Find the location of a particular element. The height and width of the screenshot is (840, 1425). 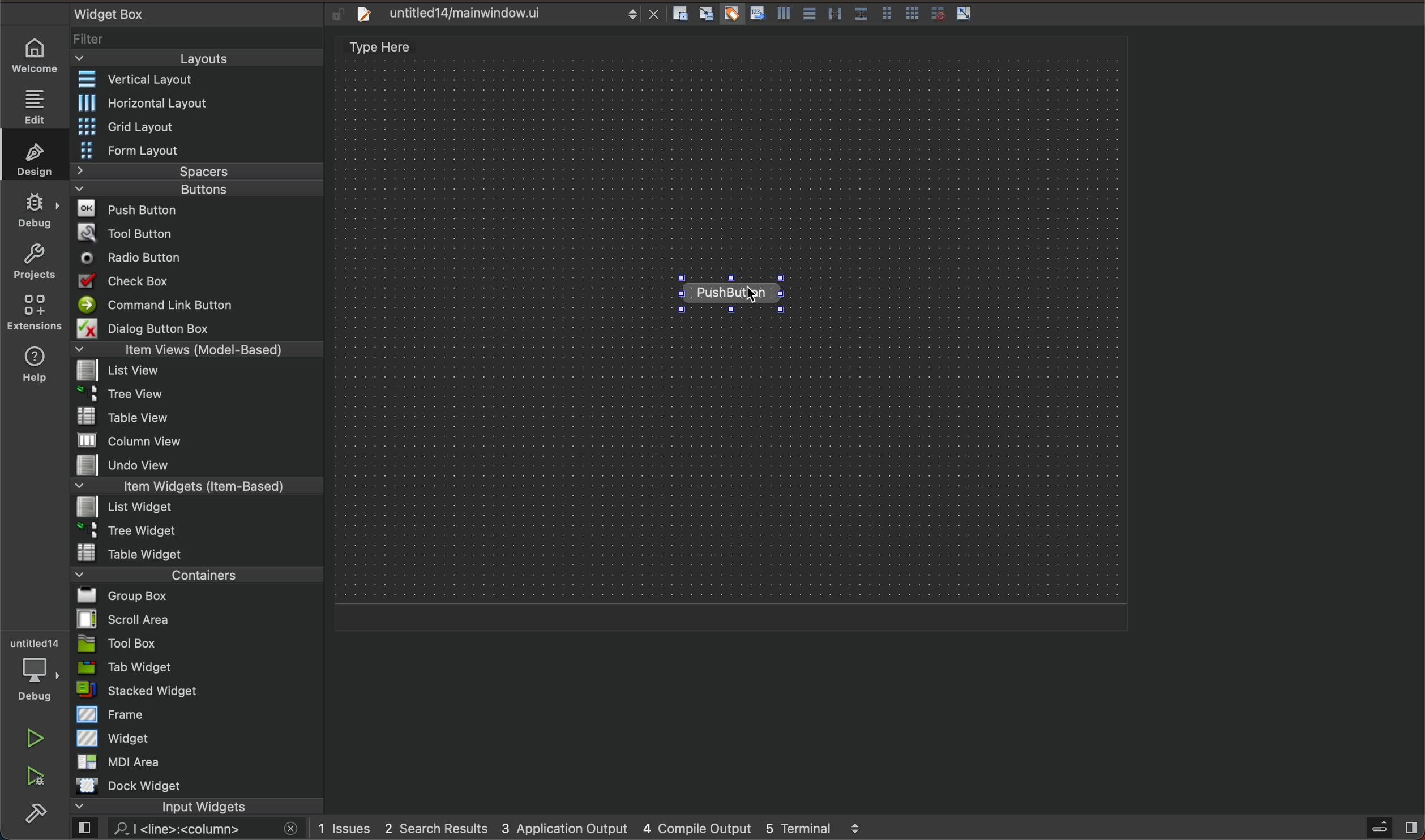

debugger is located at coordinates (37, 673).